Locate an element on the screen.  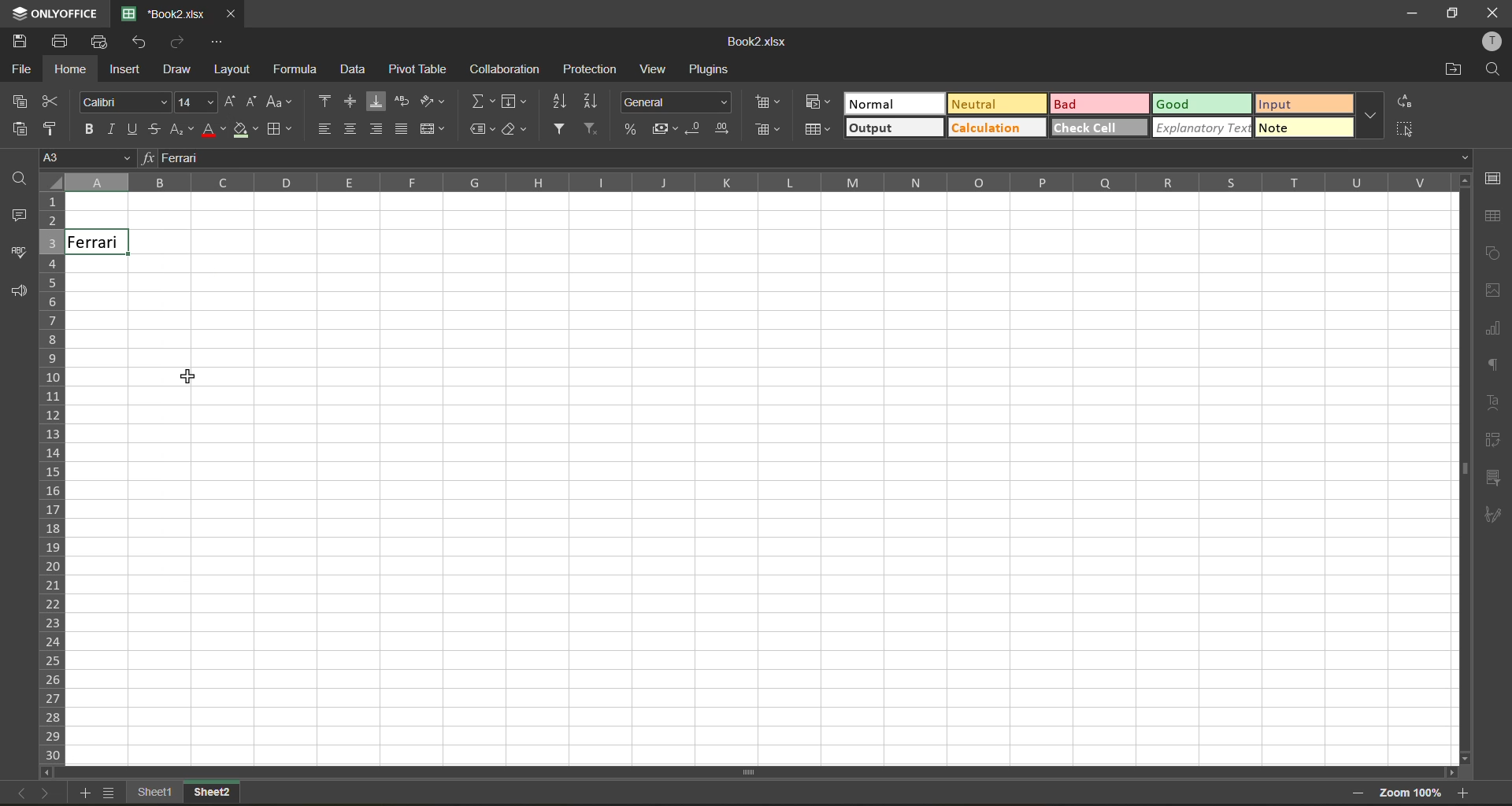
italic is located at coordinates (114, 129).